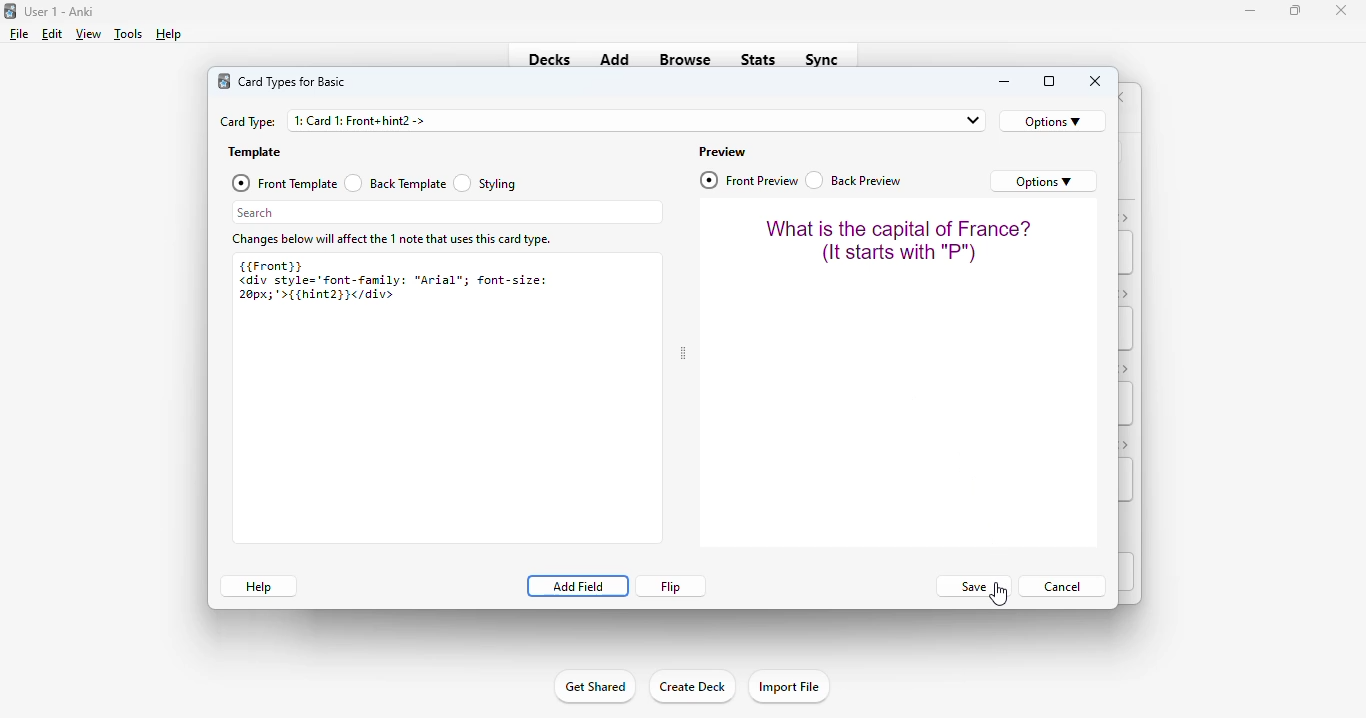 Image resolution: width=1366 pixels, height=718 pixels. Describe the element at coordinates (896, 253) in the screenshot. I see `(It starts with "P")` at that location.